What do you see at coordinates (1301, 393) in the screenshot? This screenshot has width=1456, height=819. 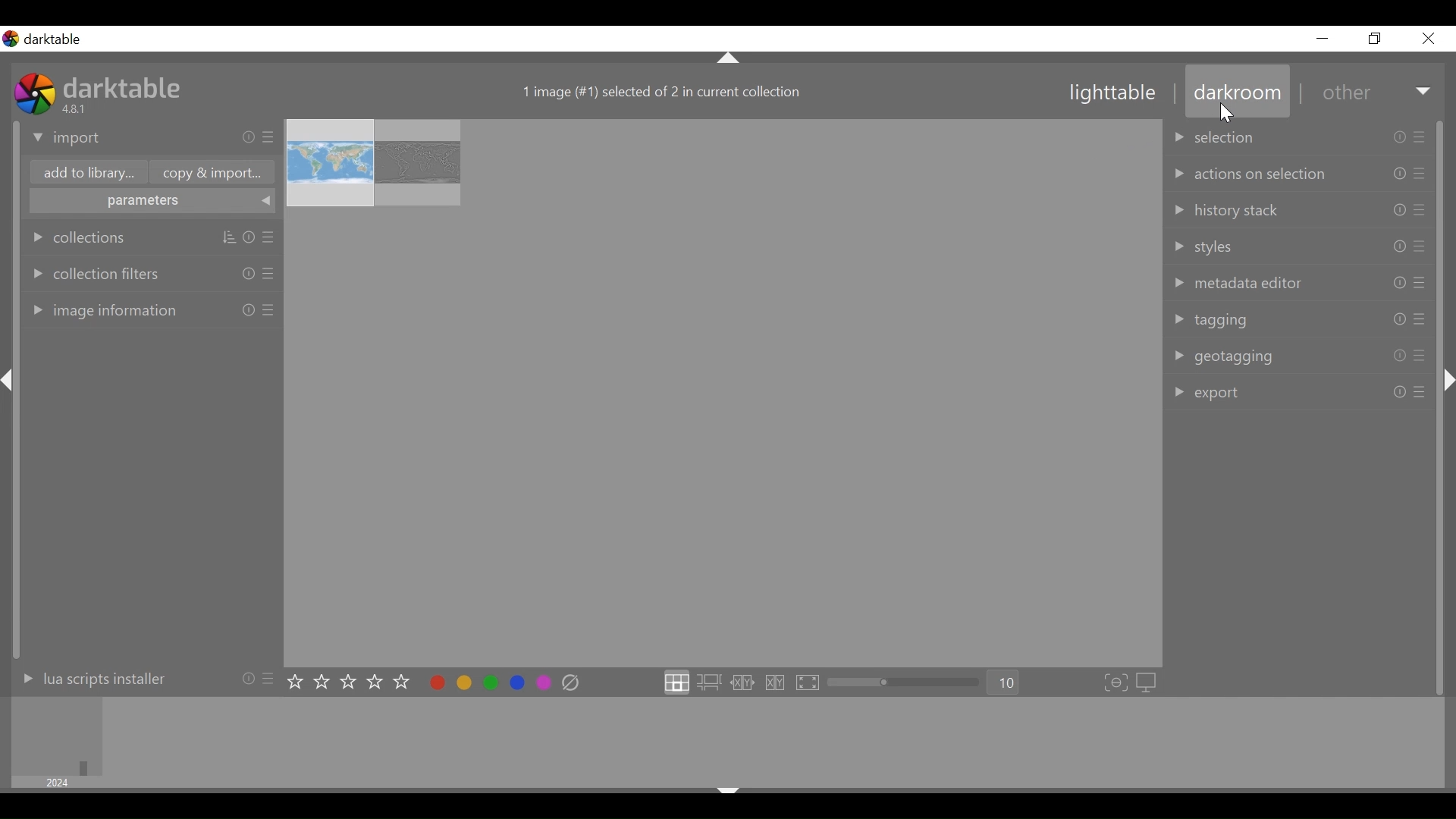 I see `export` at bounding box center [1301, 393].